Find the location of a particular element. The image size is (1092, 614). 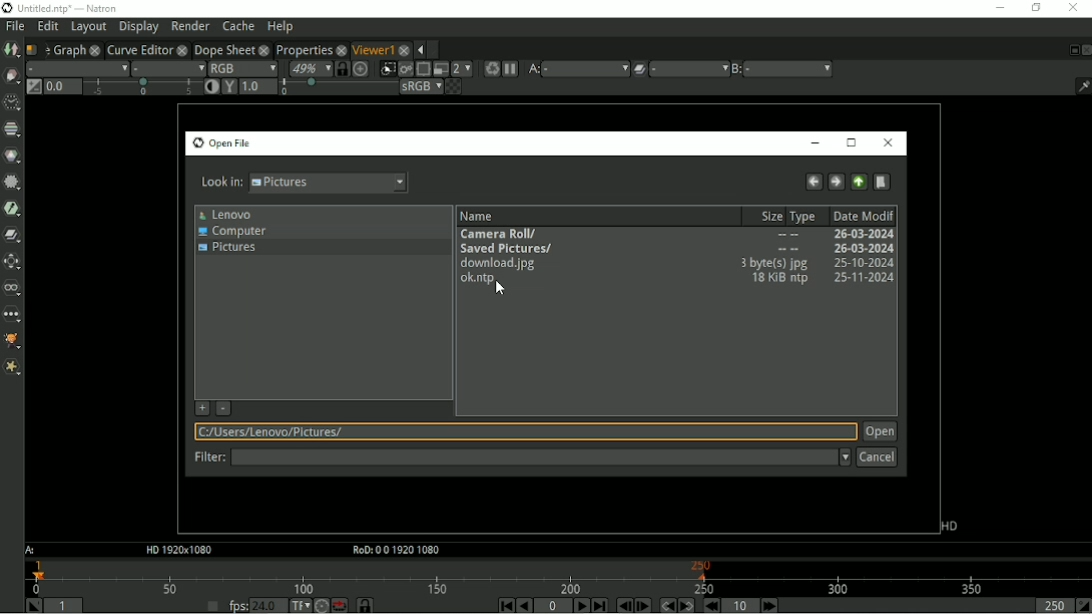

Set the time display format is located at coordinates (299, 604).